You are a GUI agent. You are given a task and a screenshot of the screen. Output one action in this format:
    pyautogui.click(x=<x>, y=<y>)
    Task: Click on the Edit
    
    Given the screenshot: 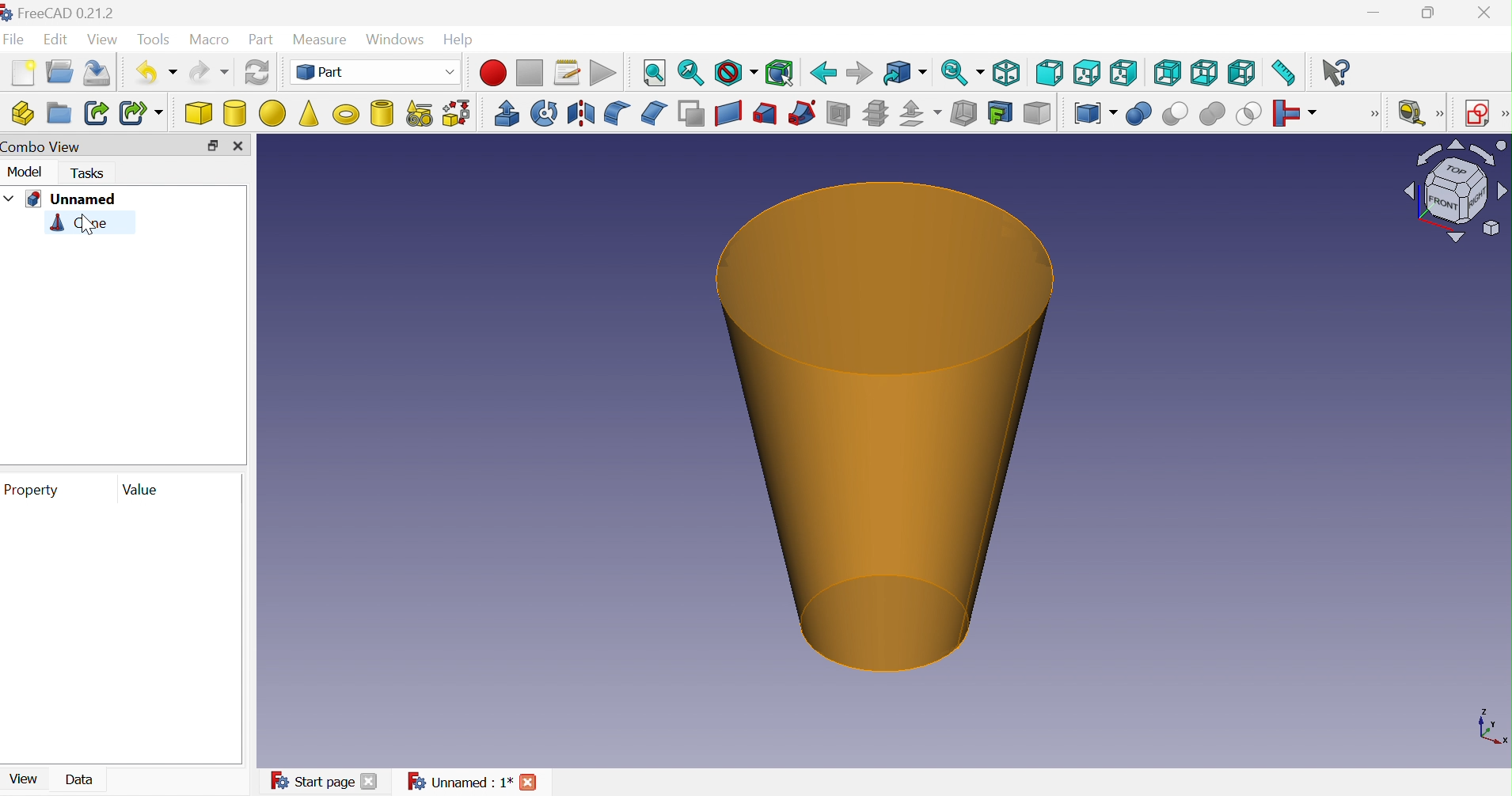 What is the action you would take?
    pyautogui.click(x=56, y=40)
    